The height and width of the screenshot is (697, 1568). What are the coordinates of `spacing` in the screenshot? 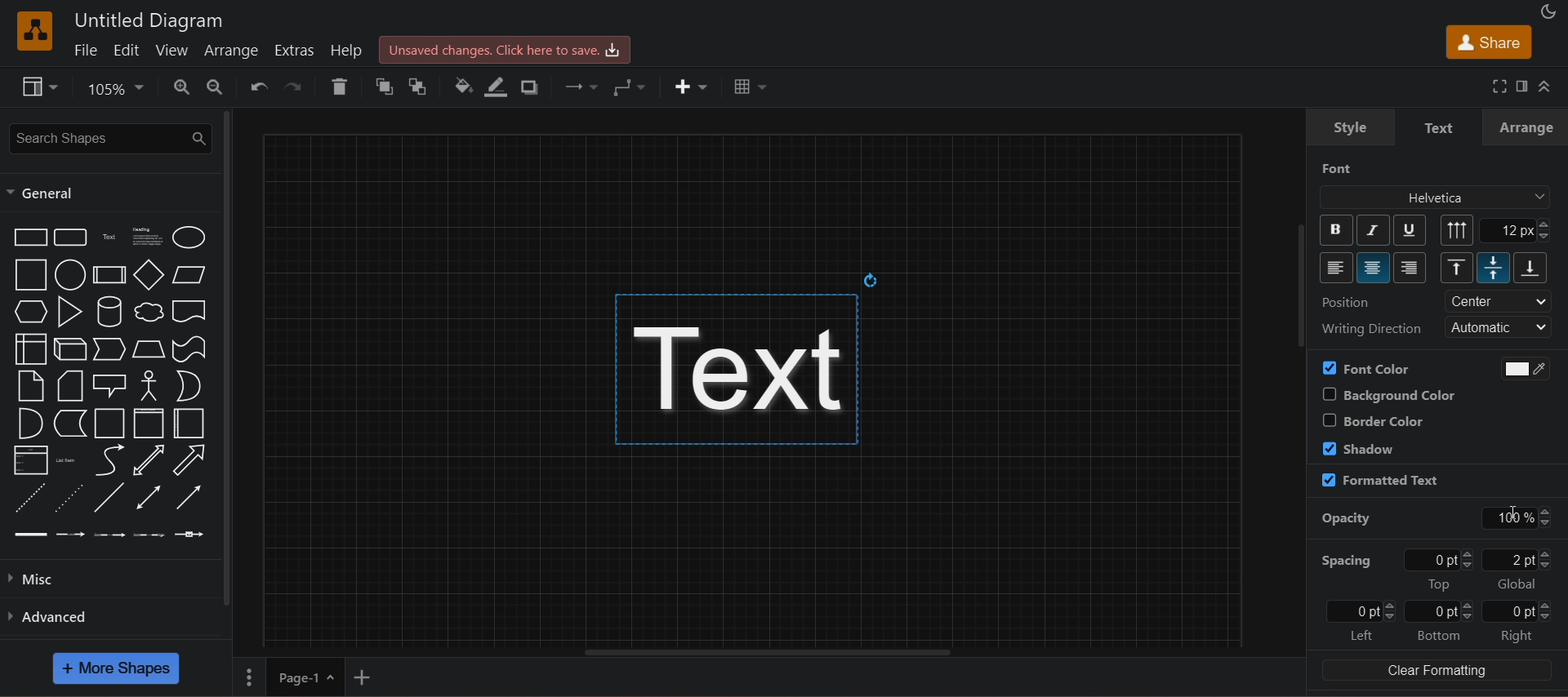 It's located at (1344, 561).